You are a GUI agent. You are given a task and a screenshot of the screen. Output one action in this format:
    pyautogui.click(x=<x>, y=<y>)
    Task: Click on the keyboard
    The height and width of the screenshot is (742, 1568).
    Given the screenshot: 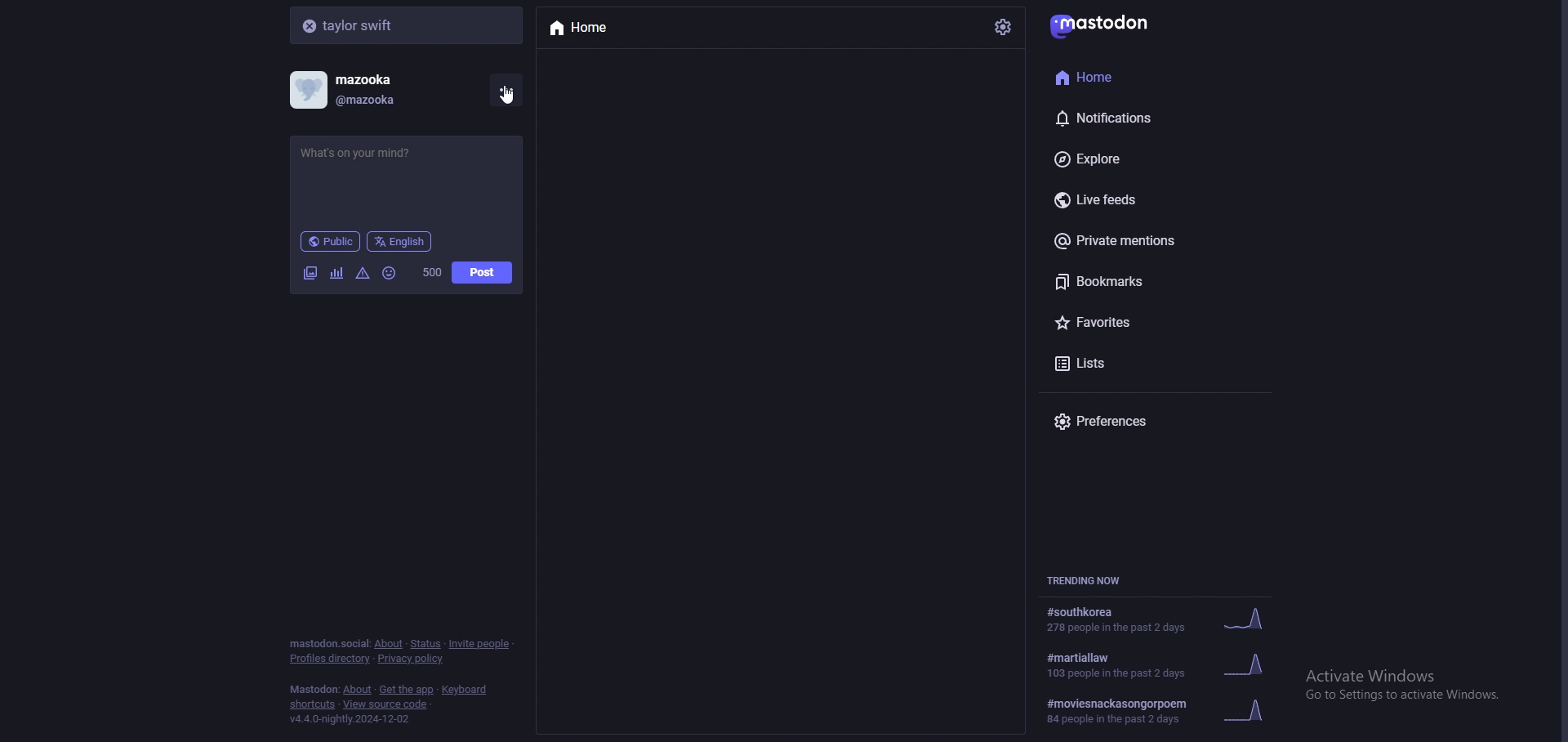 What is the action you would take?
    pyautogui.click(x=465, y=689)
    